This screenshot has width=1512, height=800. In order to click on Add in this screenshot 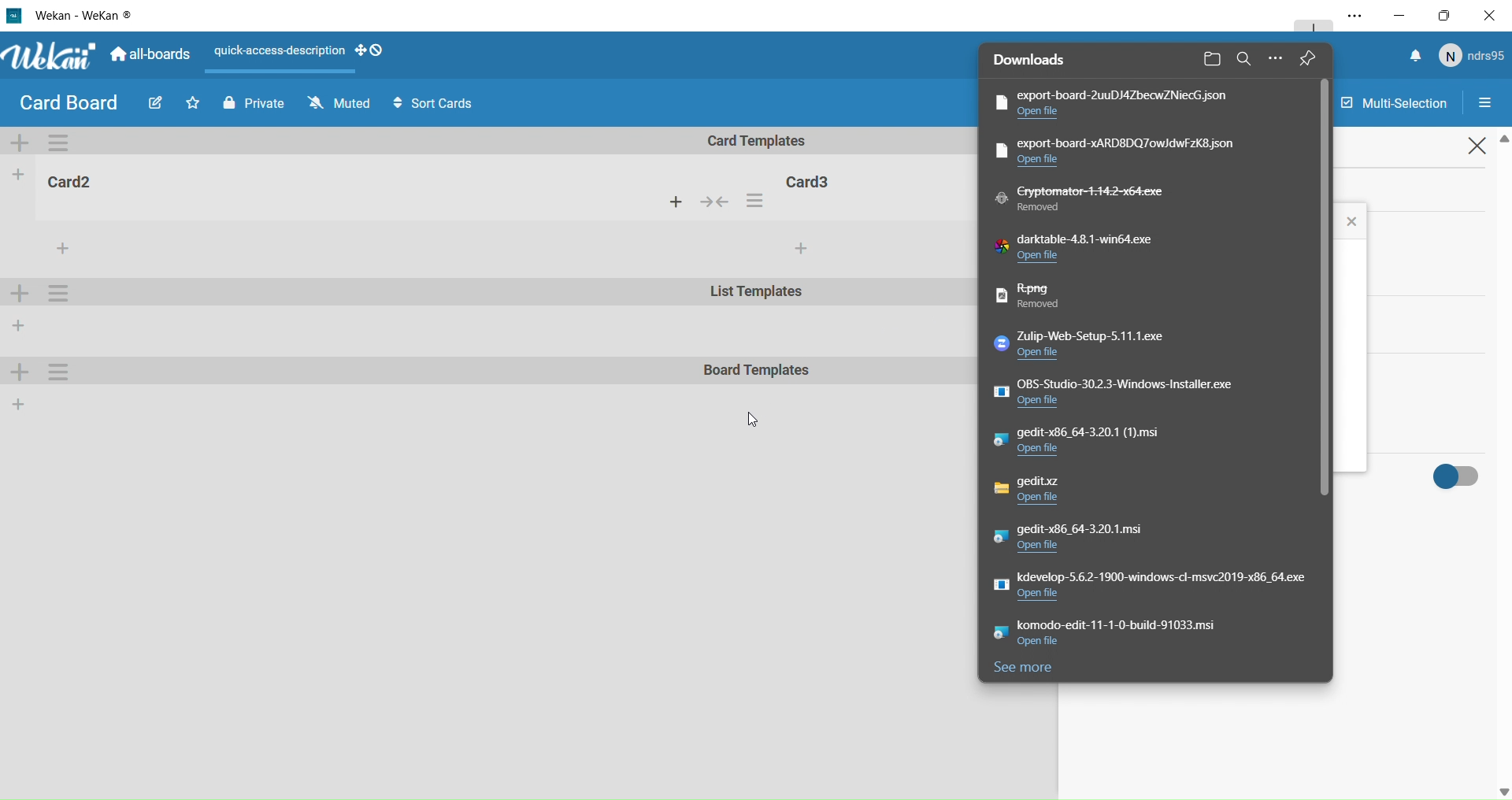, I will do `click(20, 403)`.